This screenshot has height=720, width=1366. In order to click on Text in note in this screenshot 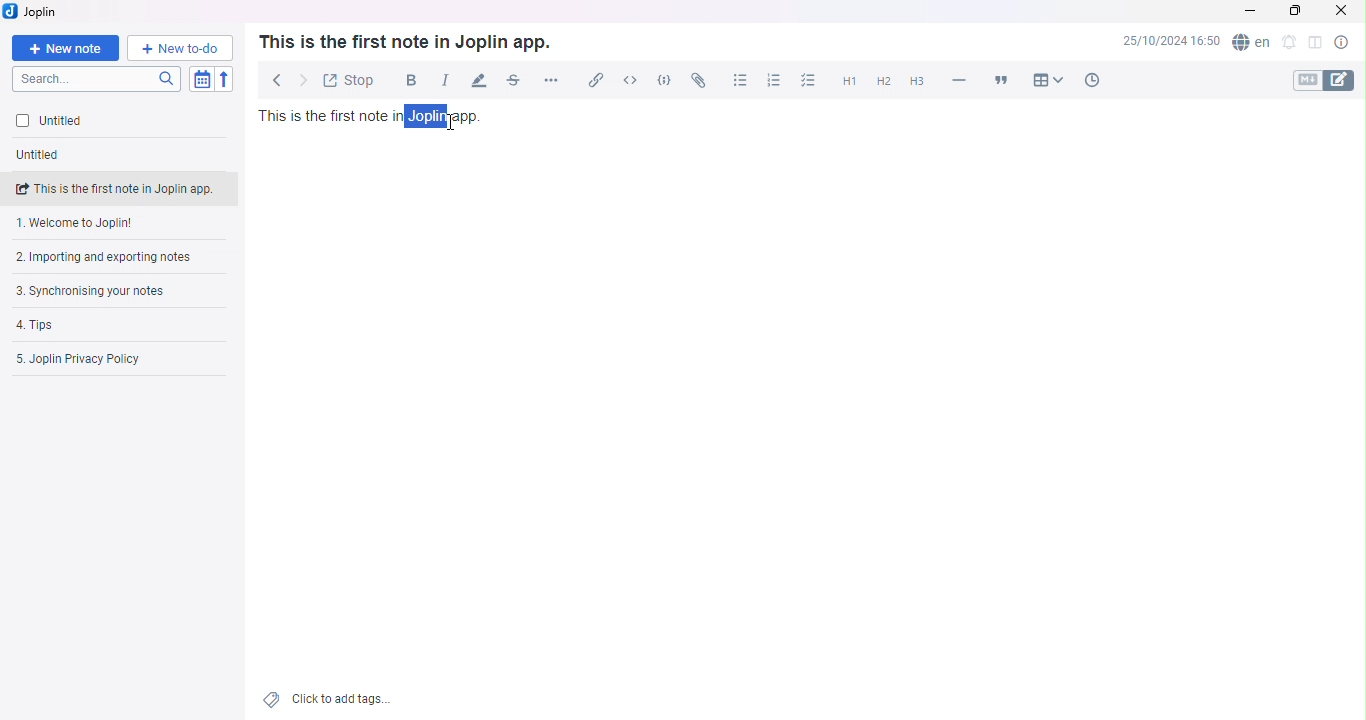, I will do `click(373, 116)`.